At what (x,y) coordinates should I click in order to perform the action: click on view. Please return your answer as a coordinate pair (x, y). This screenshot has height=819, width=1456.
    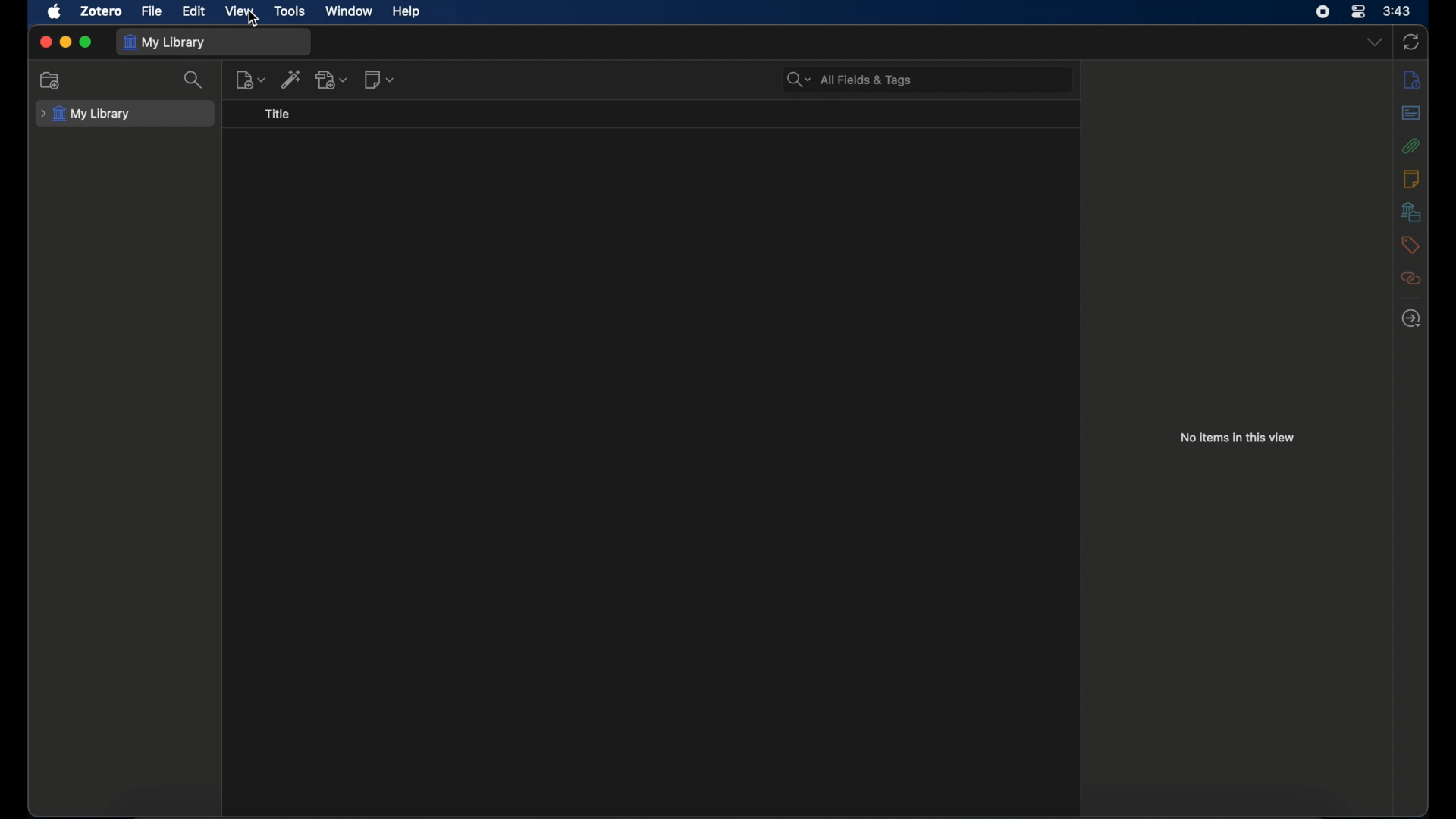
    Looking at the image, I should click on (238, 11).